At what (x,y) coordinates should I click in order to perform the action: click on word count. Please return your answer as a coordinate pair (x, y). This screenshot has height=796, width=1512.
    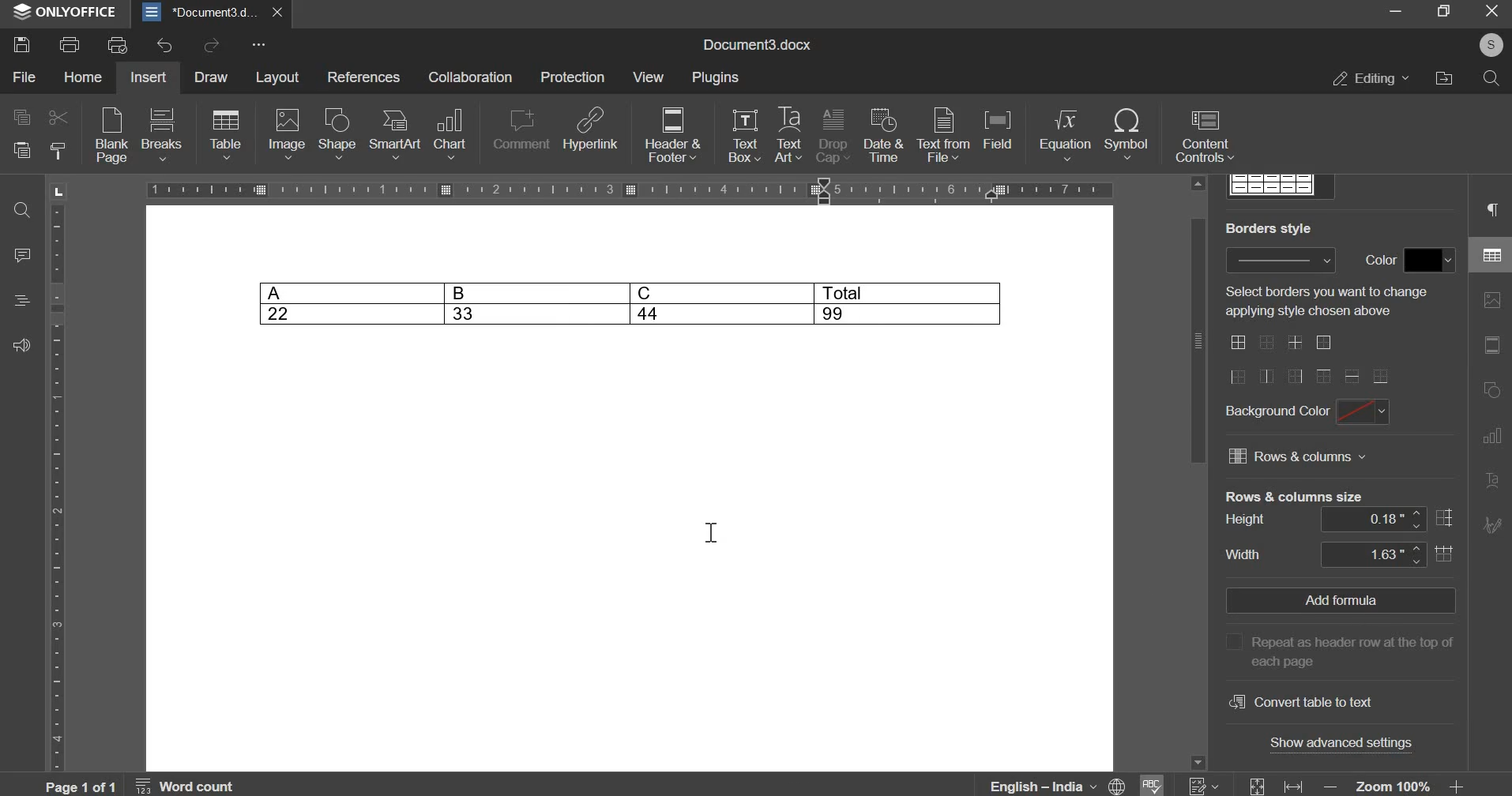
    Looking at the image, I should click on (186, 786).